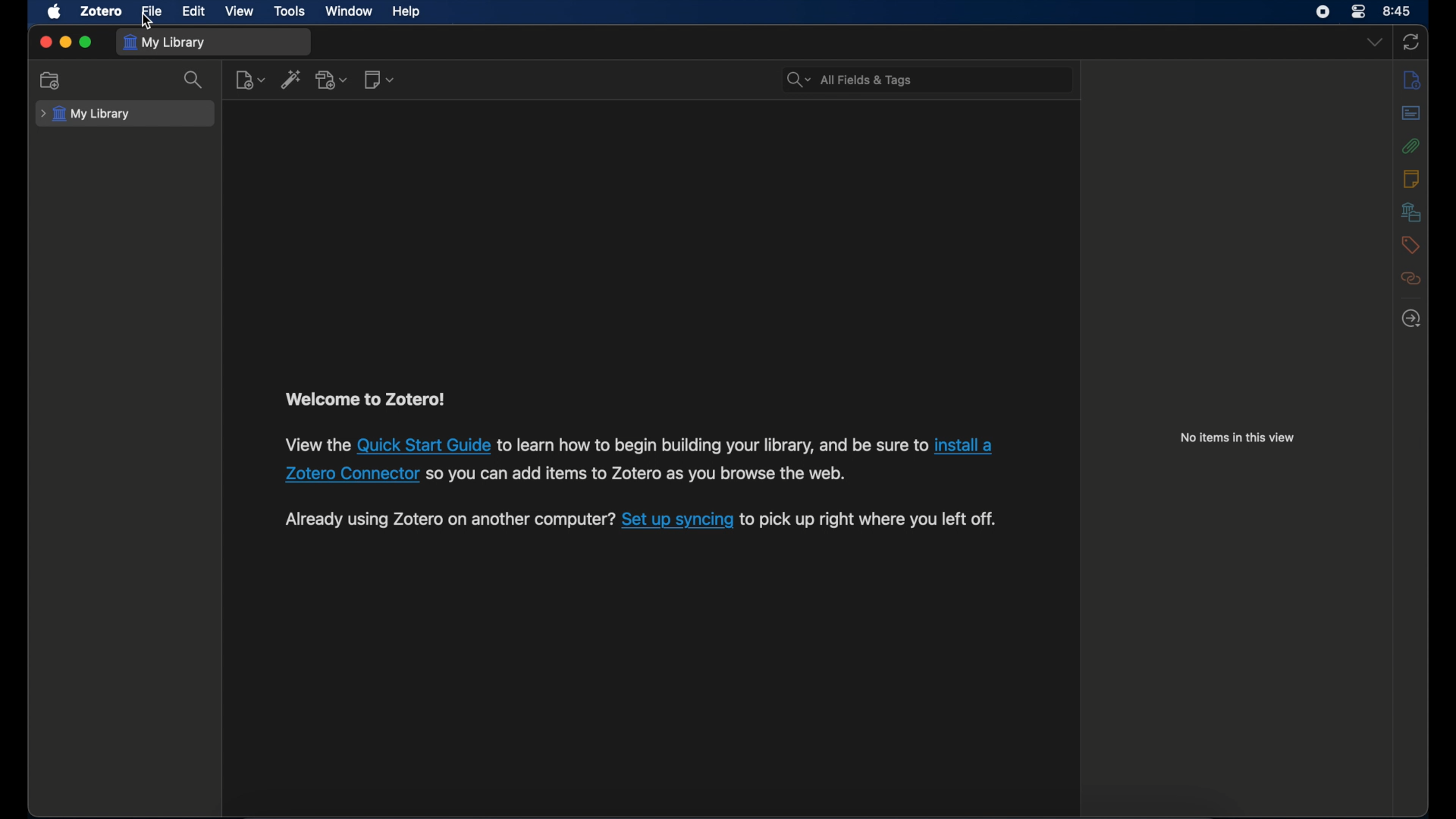  I want to click on Already using Zotero on another computer? Set up syncing to pick up right where you left off., so click(449, 522).